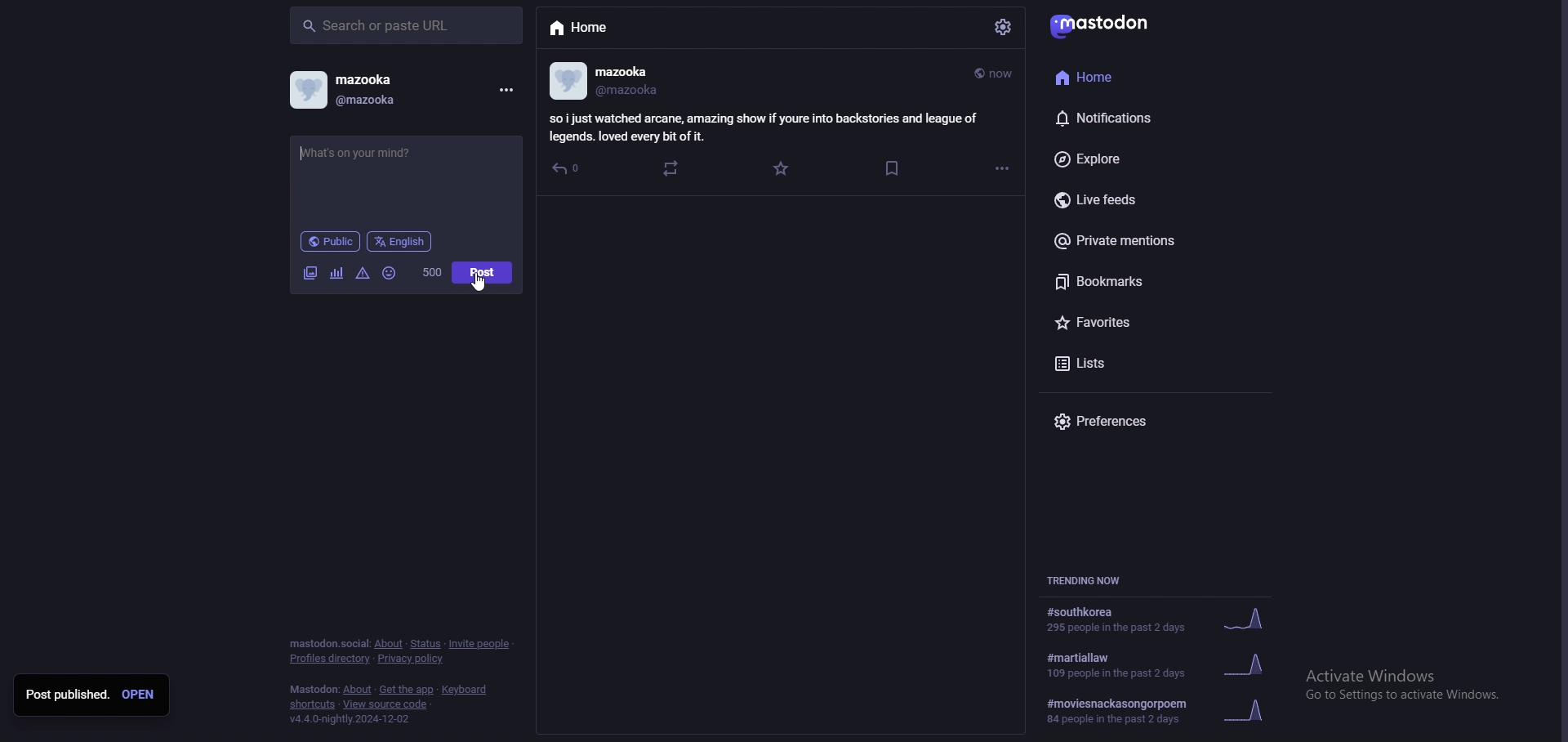 Image resolution: width=1568 pixels, height=742 pixels. I want to click on menu, so click(508, 90).